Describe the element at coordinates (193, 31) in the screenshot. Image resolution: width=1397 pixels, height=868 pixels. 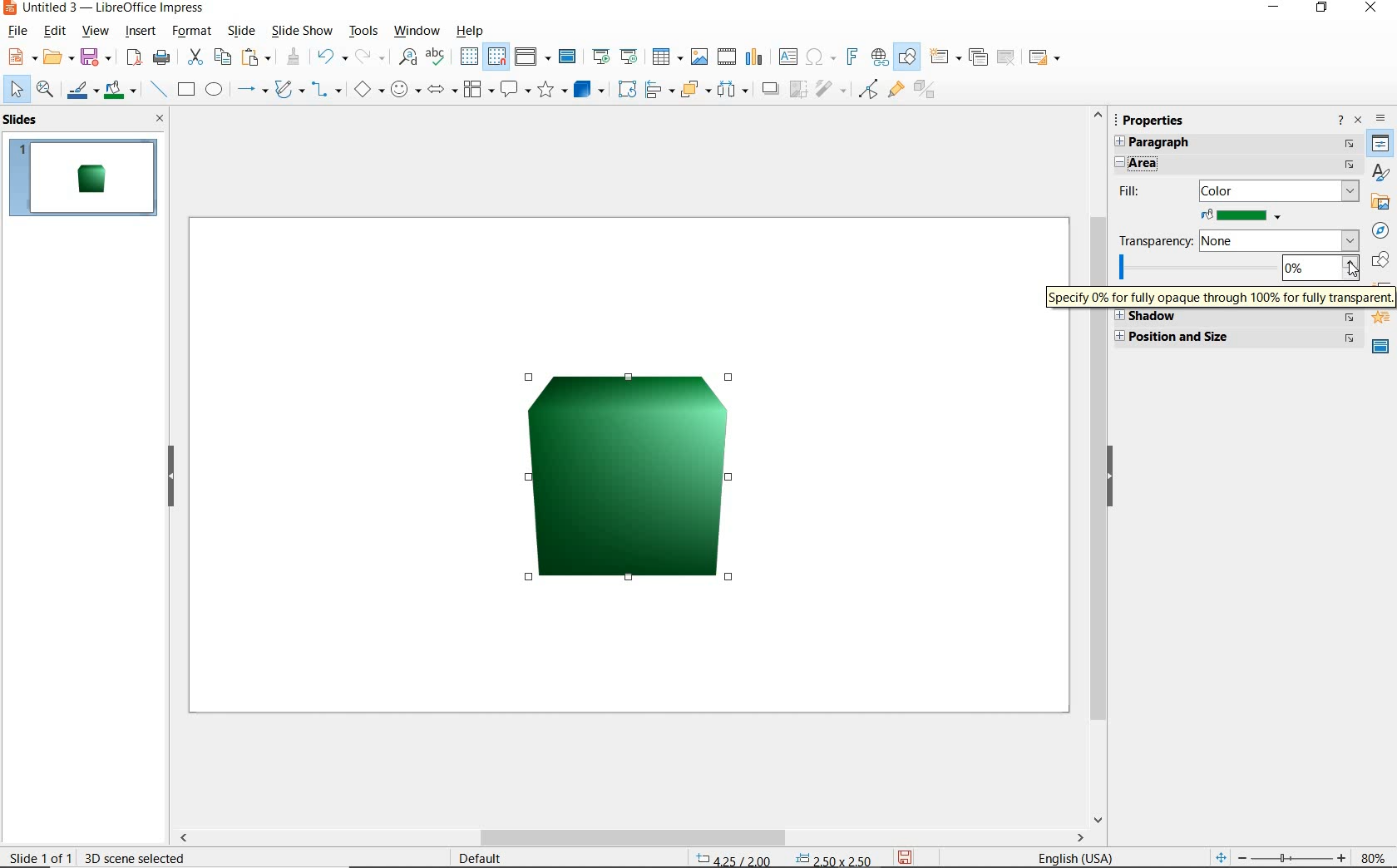
I see `format` at that location.